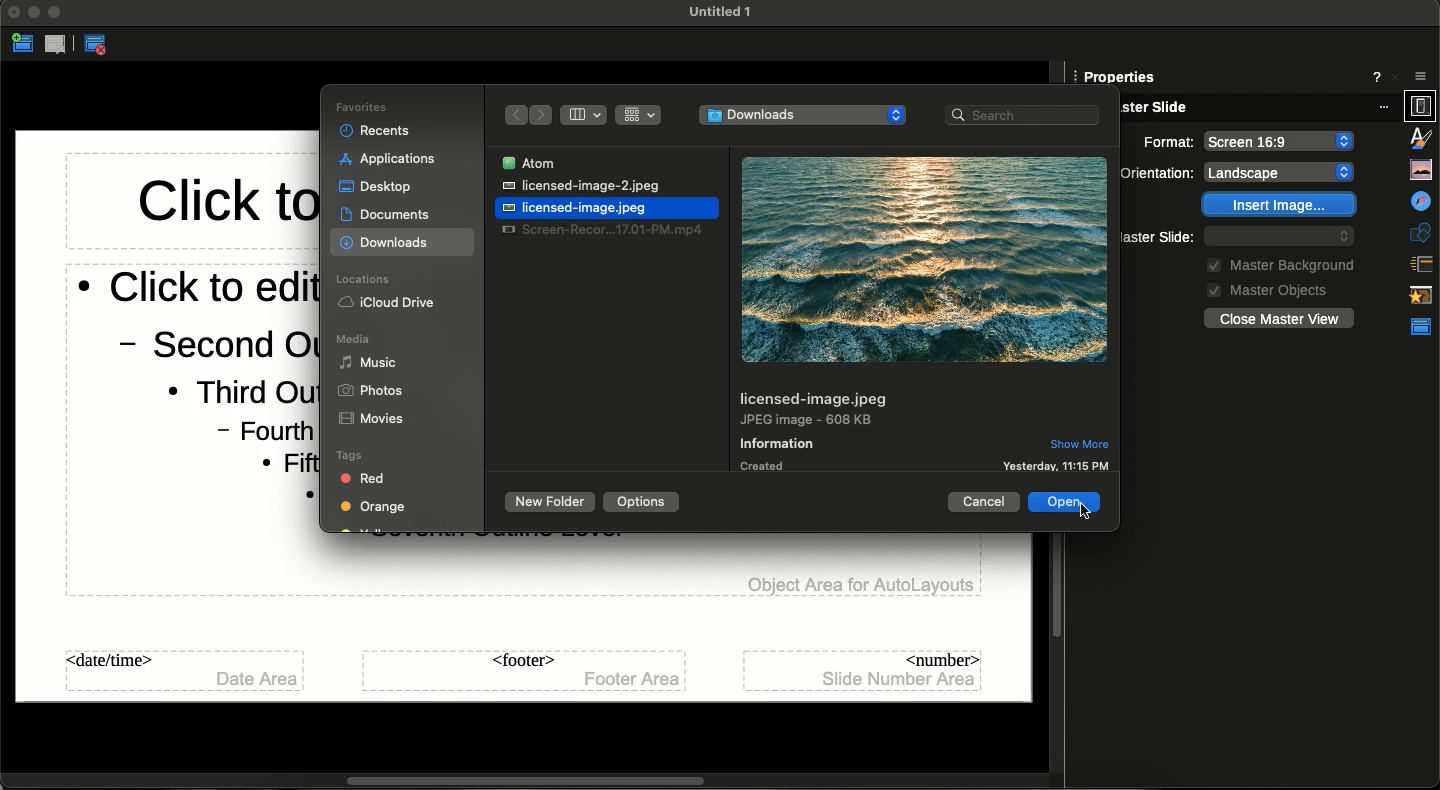  What do you see at coordinates (196, 383) in the screenshot?
I see `Master body` at bounding box center [196, 383].